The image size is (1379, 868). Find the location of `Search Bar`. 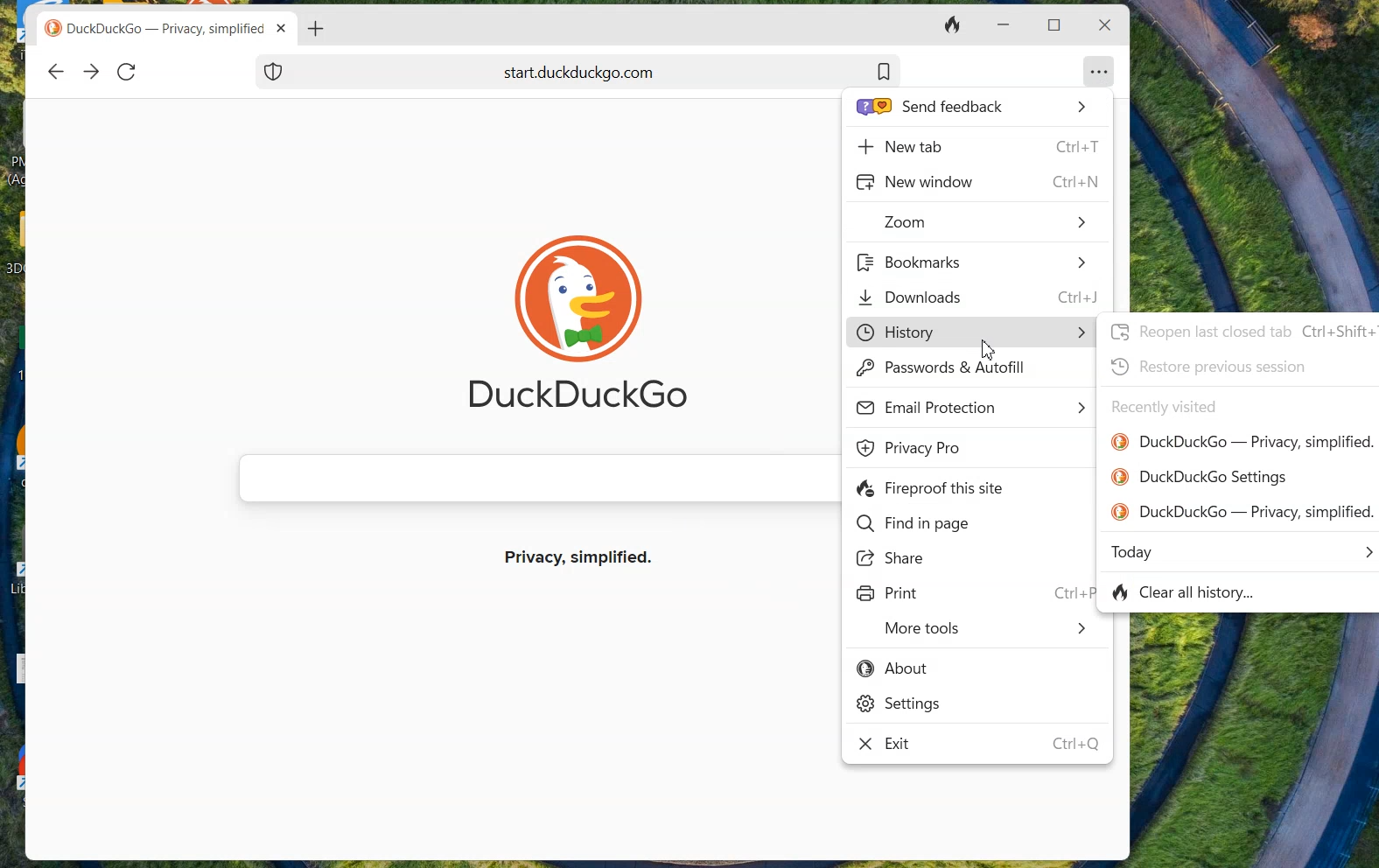

Search Bar is located at coordinates (529, 478).